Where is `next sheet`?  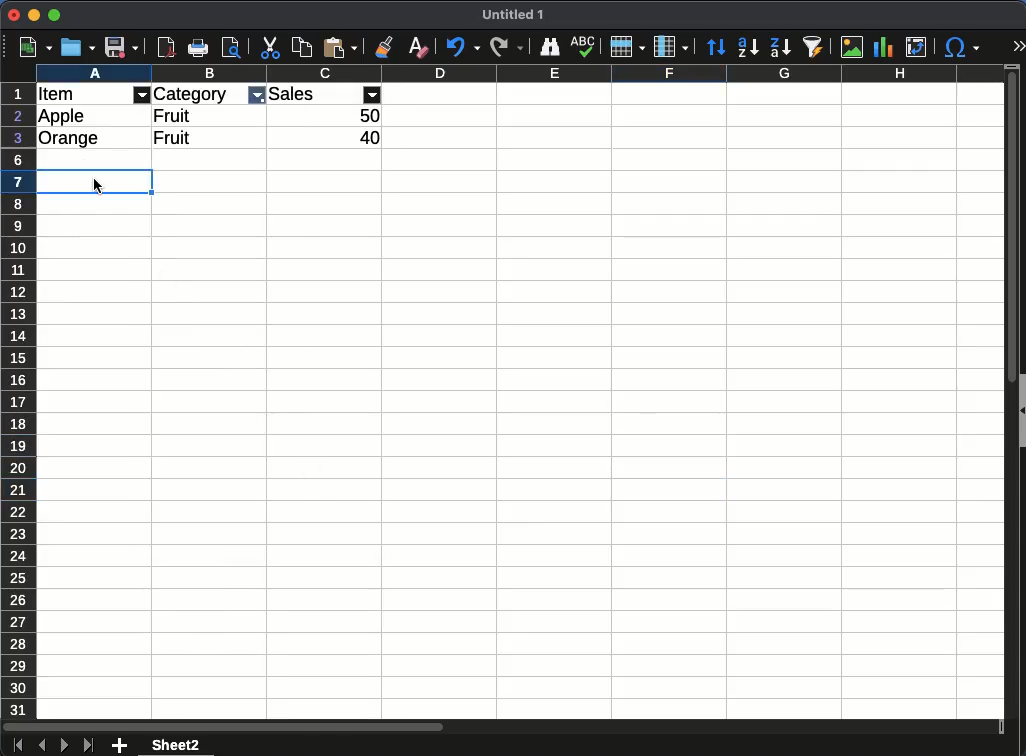 next sheet is located at coordinates (64, 746).